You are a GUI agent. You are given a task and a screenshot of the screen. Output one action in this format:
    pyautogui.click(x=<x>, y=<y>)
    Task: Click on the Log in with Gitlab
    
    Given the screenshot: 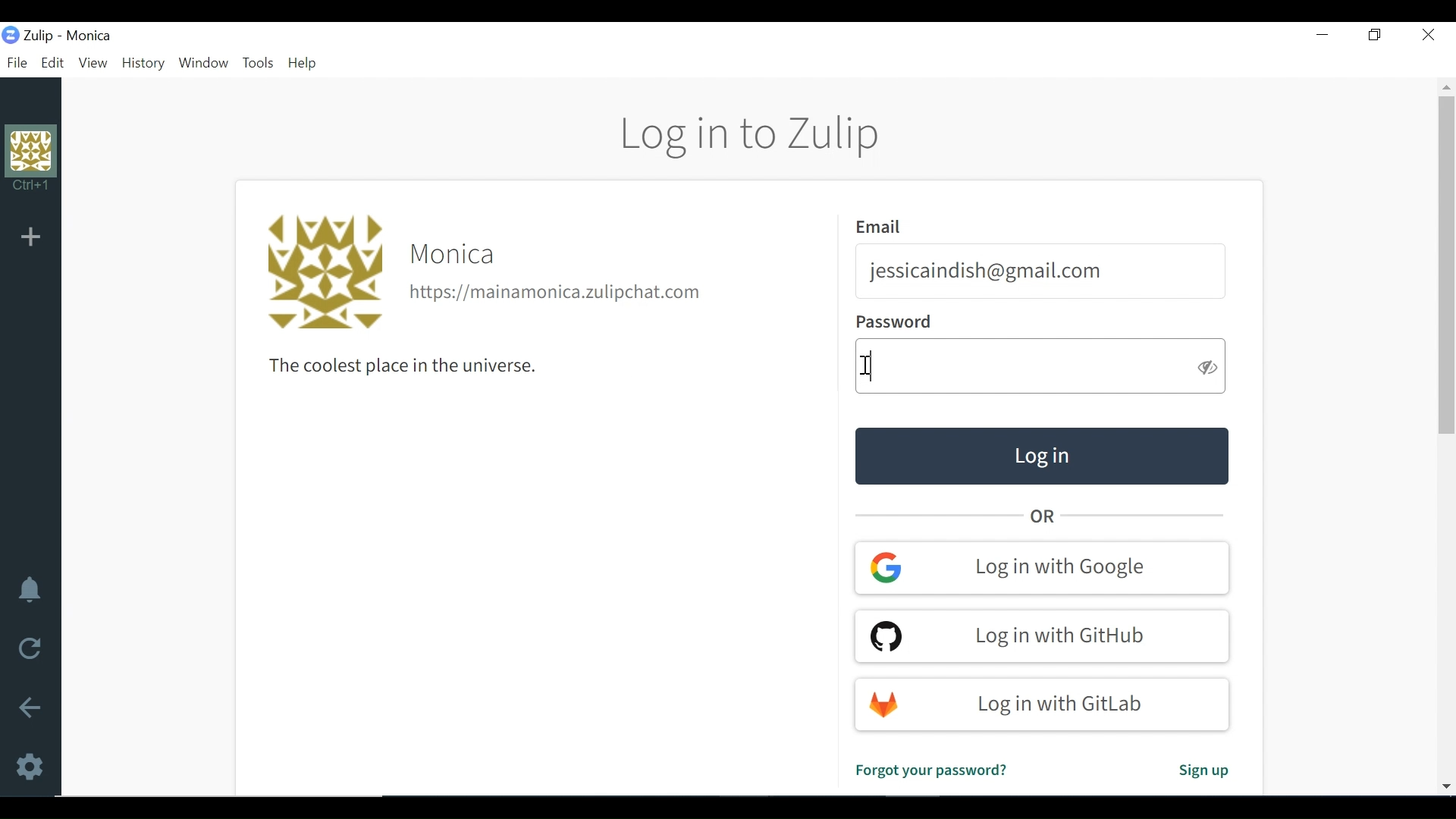 What is the action you would take?
    pyautogui.click(x=1044, y=704)
    